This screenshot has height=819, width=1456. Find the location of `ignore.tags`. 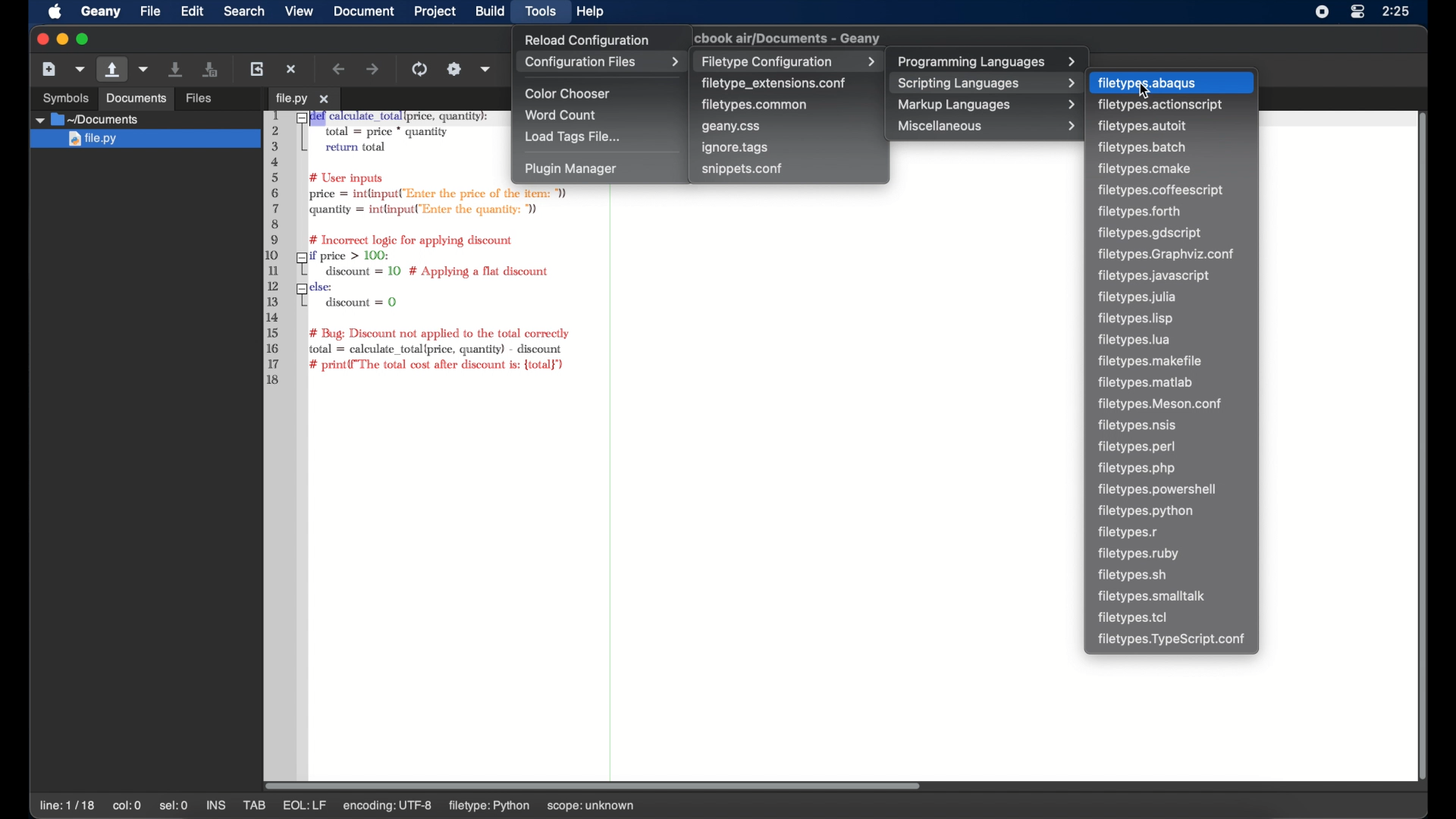

ignore.tags is located at coordinates (736, 148).